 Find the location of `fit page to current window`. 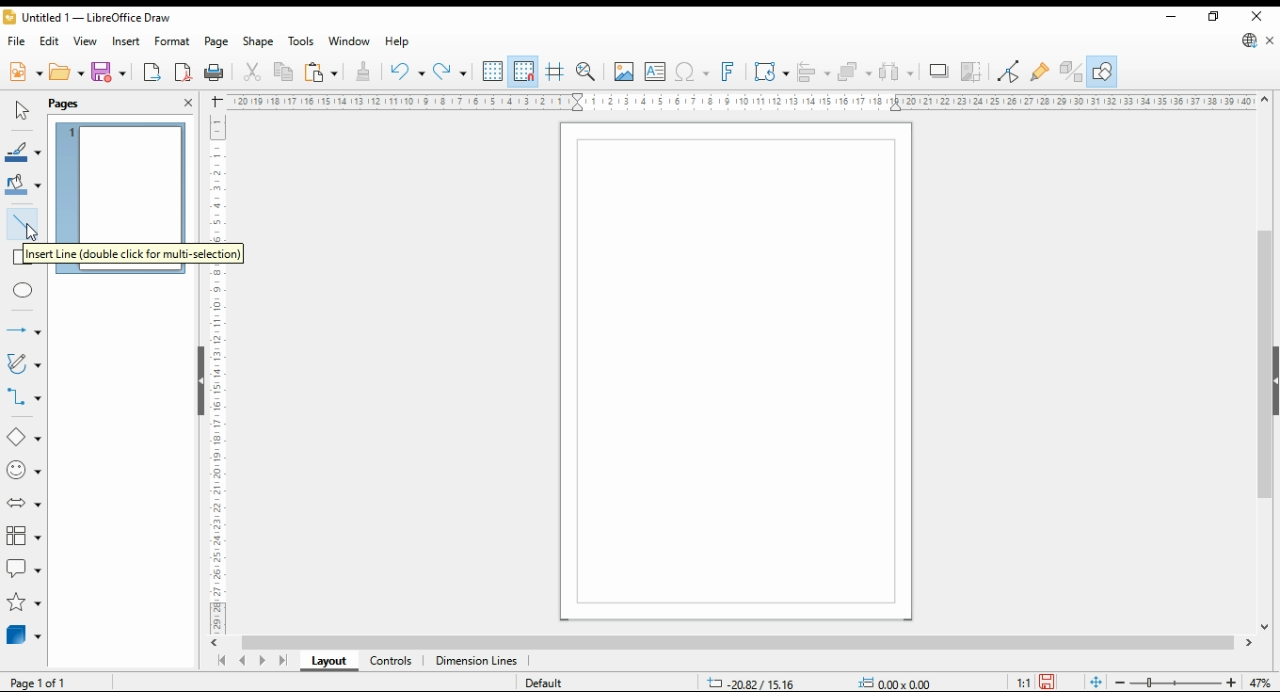

fit page to current window is located at coordinates (1096, 682).